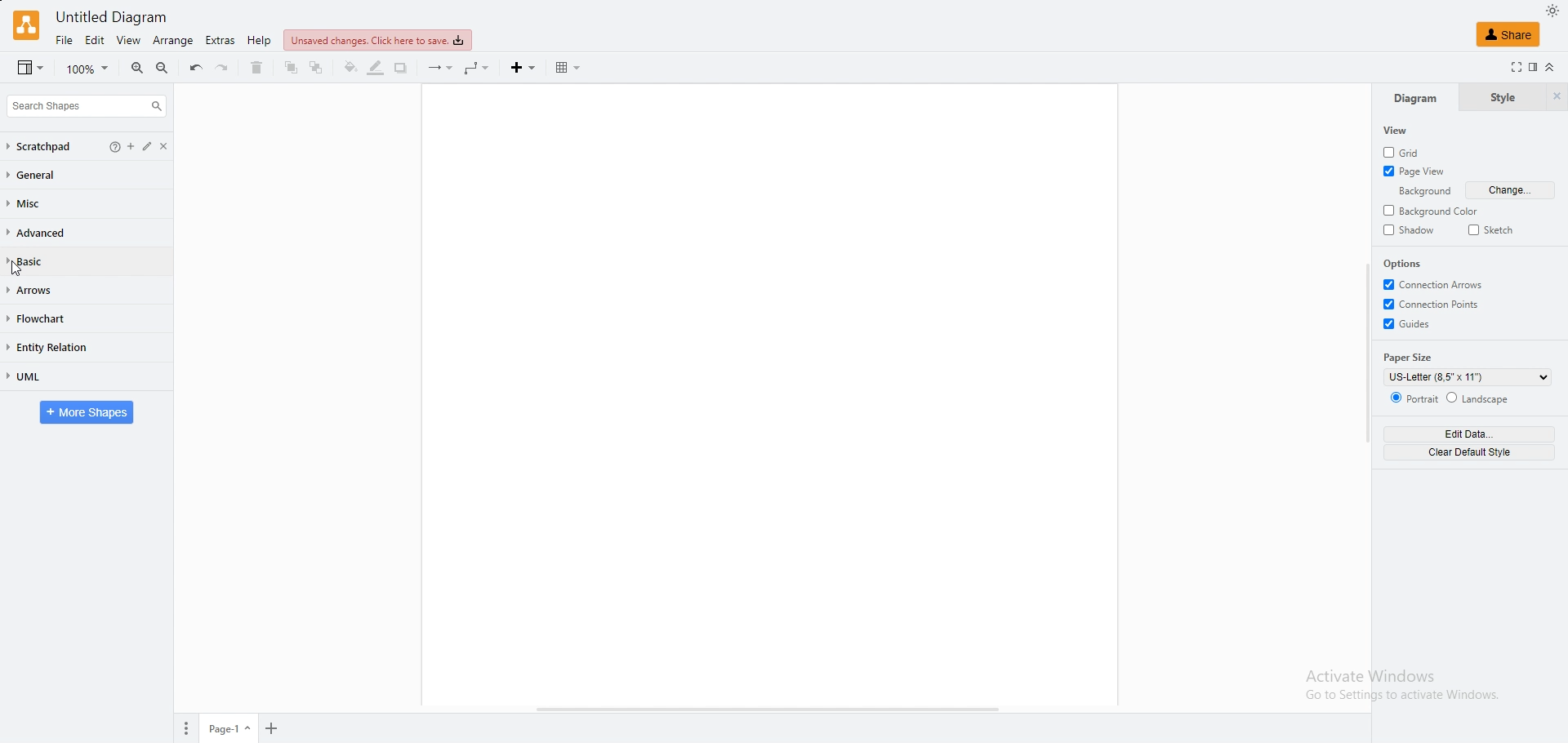 The width and height of the screenshot is (1568, 743). I want to click on delete, so click(257, 68).